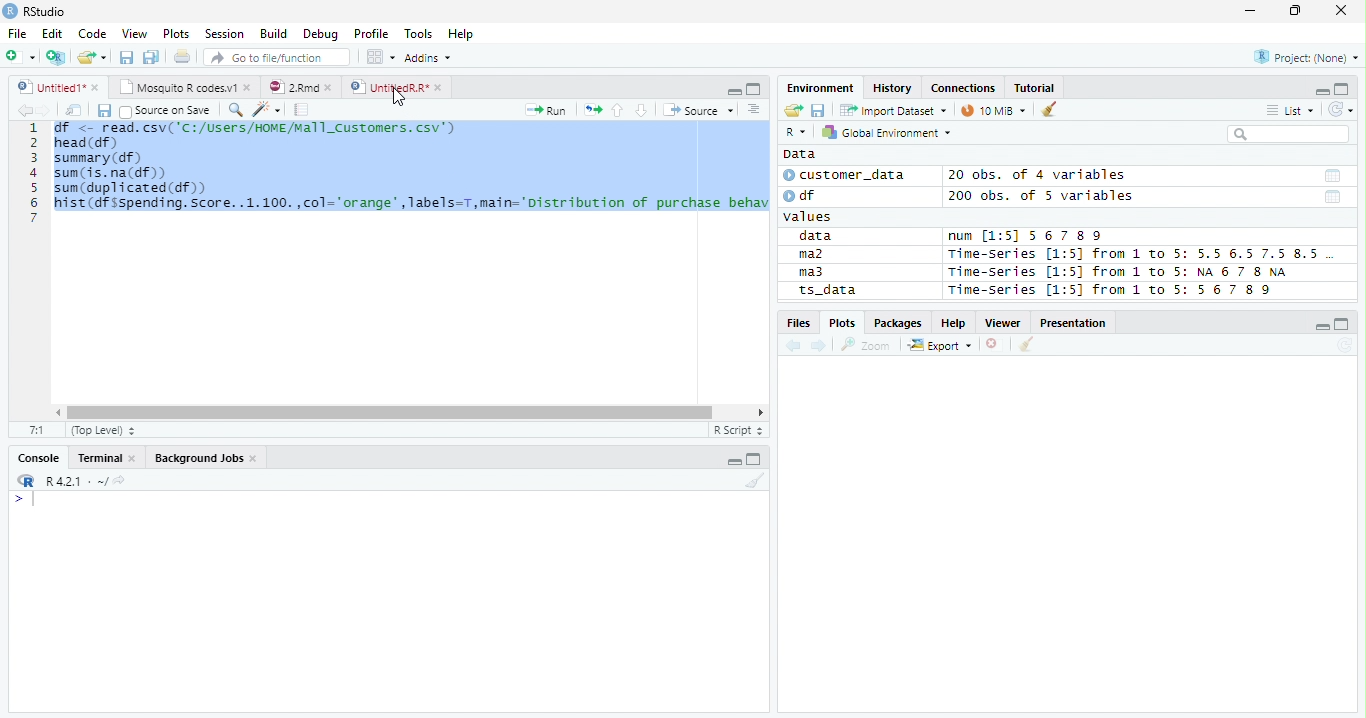 This screenshot has height=718, width=1366. What do you see at coordinates (798, 323) in the screenshot?
I see `Files` at bounding box center [798, 323].